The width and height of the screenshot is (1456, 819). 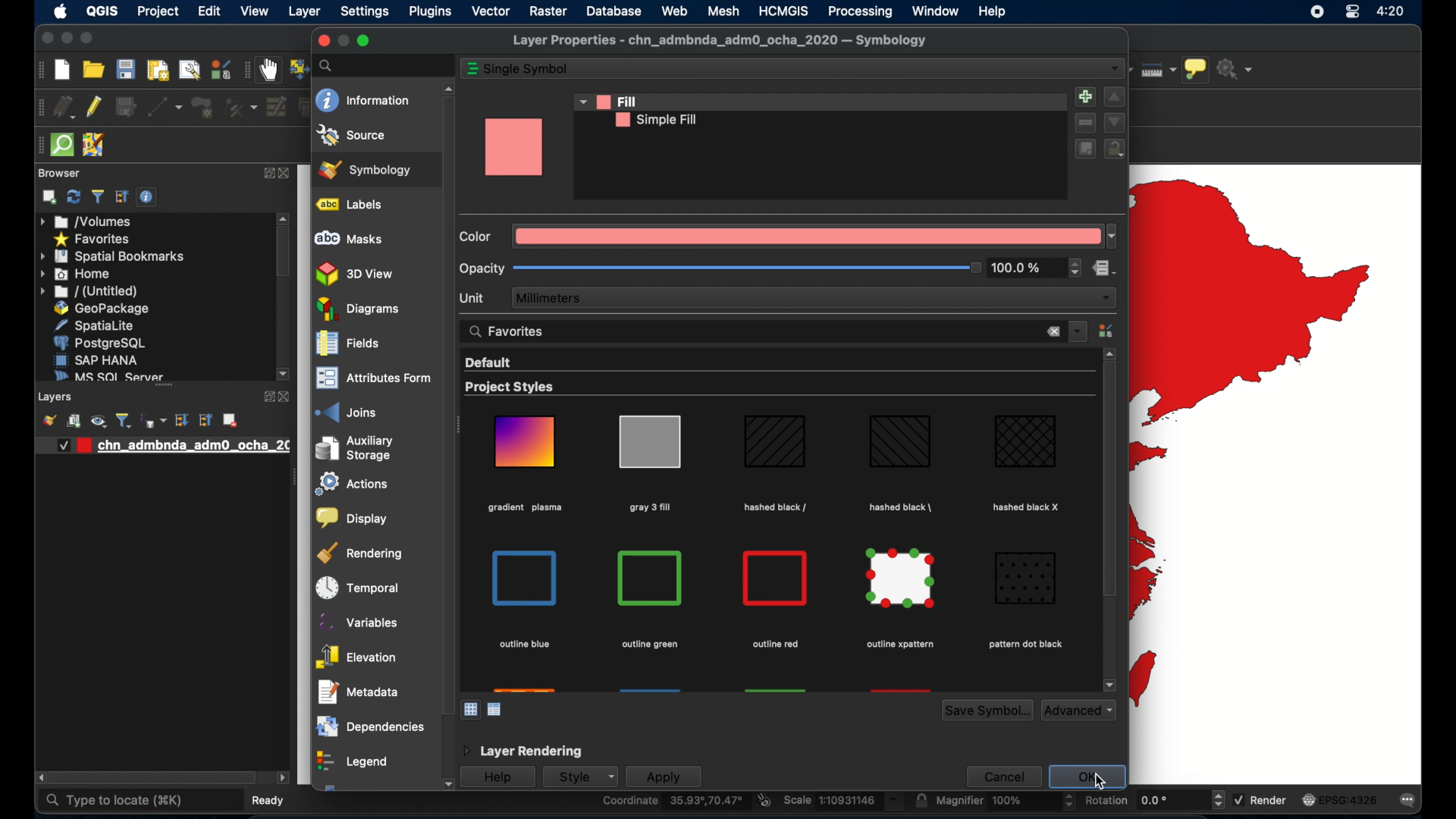 What do you see at coordinates (482, 268) in the screenshot?
I see `opacity` at bounding box center [482, 268].